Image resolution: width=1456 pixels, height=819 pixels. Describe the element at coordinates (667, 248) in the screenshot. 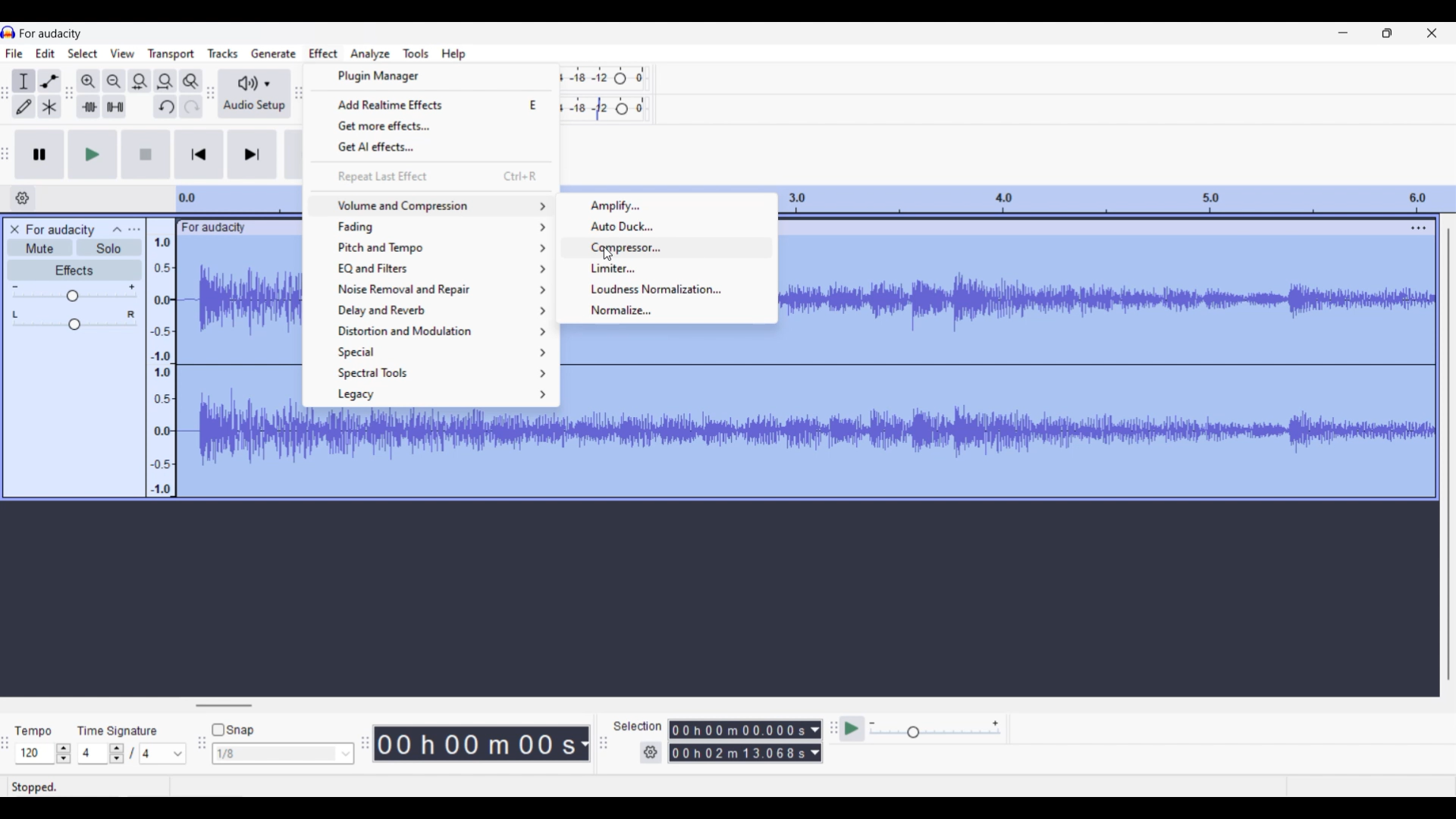

I see `Compressor` at that location.